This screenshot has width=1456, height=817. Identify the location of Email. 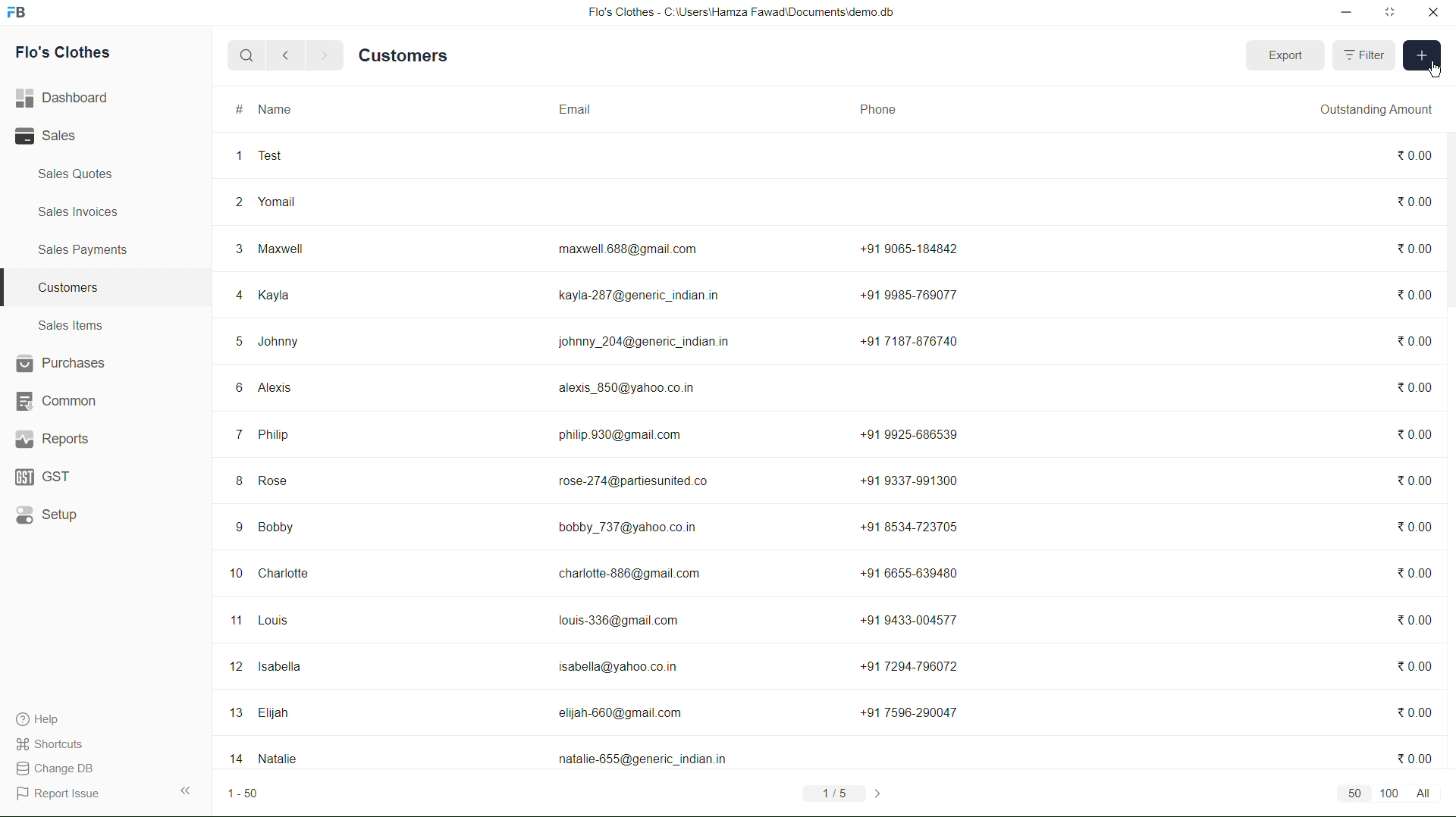
(573, 113).